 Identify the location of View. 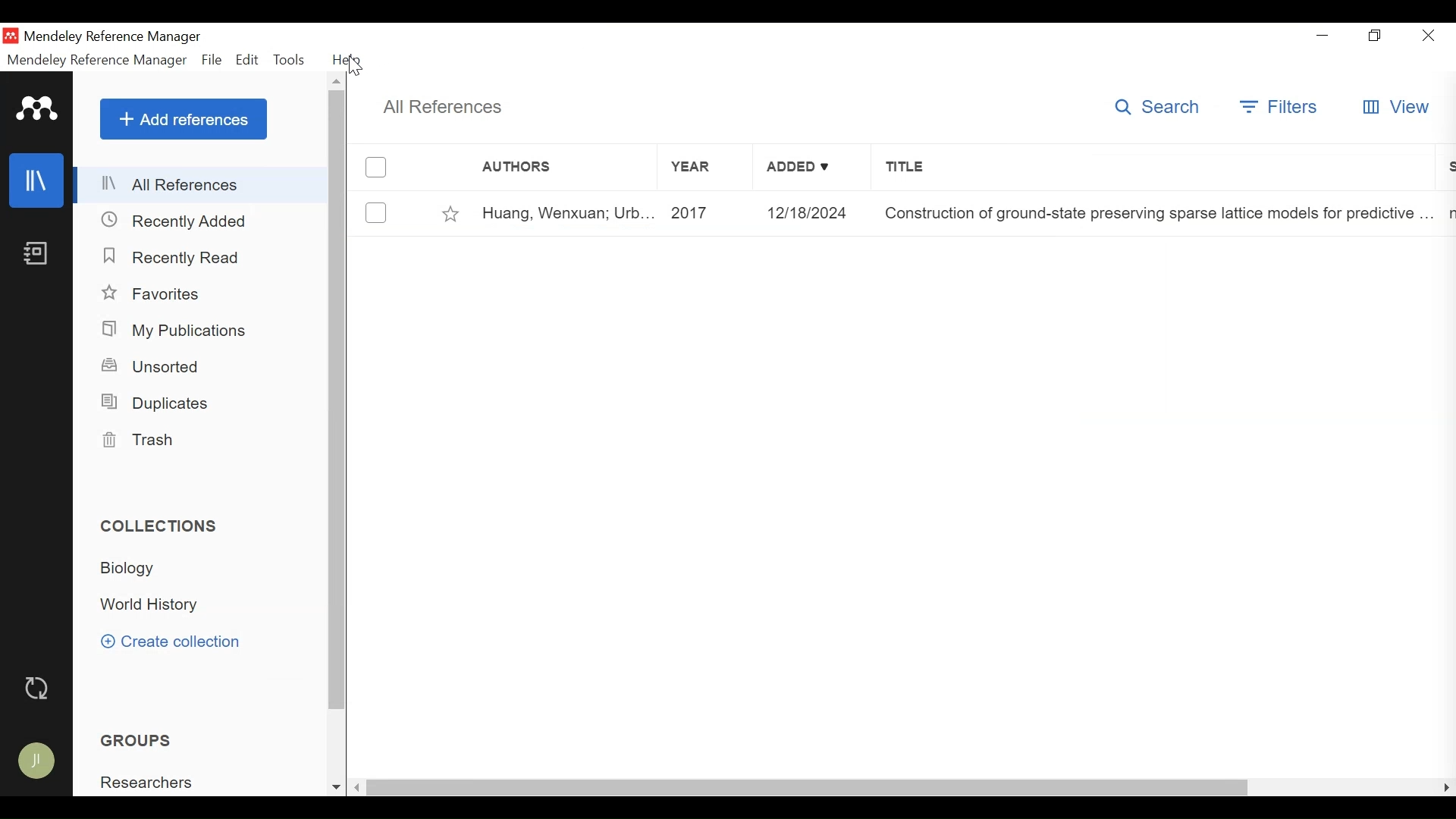
(1395, 108).